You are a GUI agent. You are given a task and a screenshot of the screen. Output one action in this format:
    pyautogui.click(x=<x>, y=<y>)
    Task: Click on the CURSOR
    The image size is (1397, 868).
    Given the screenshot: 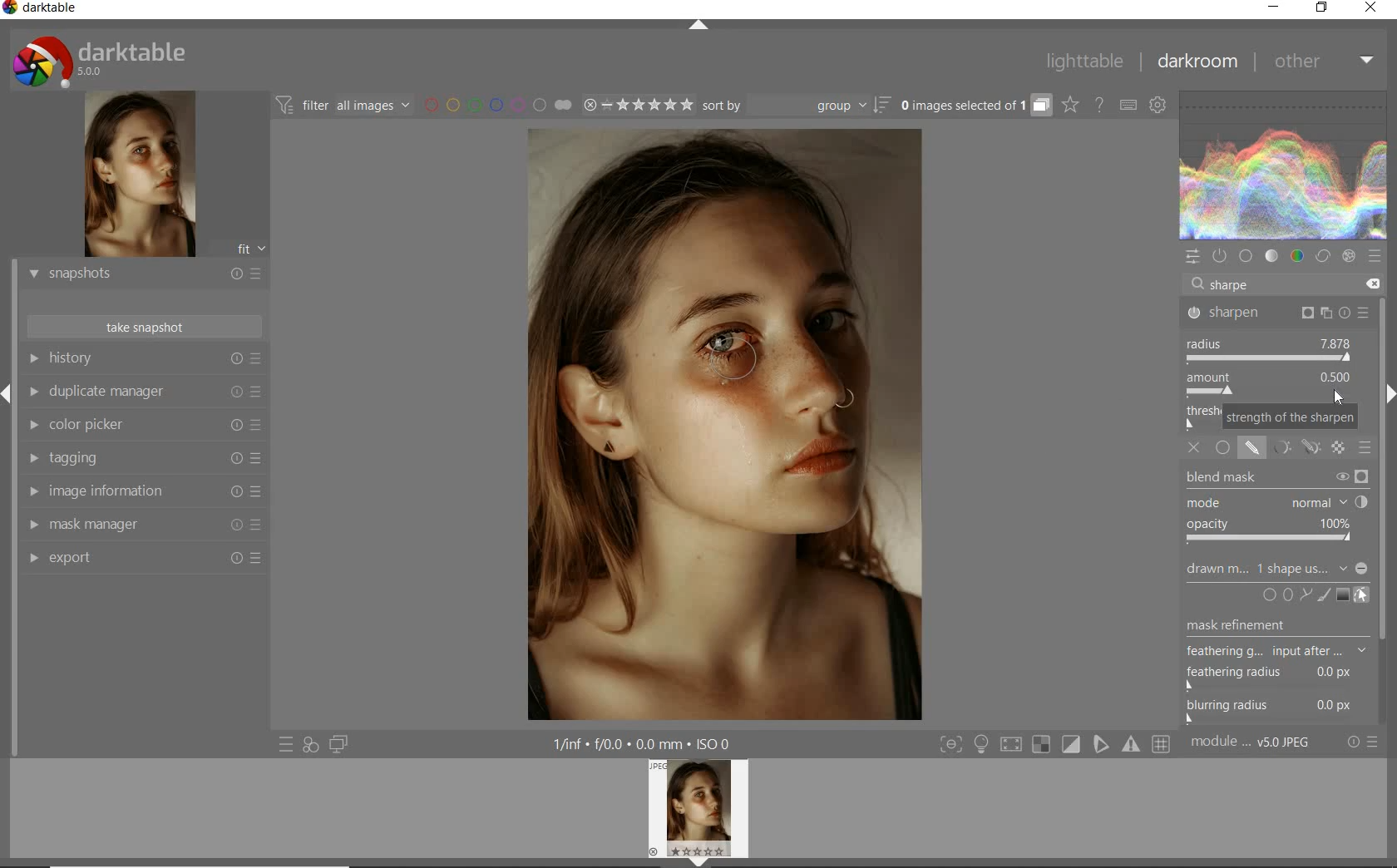 What is the action you would take?
    pyautogui.click(x=1338, y=397)
    